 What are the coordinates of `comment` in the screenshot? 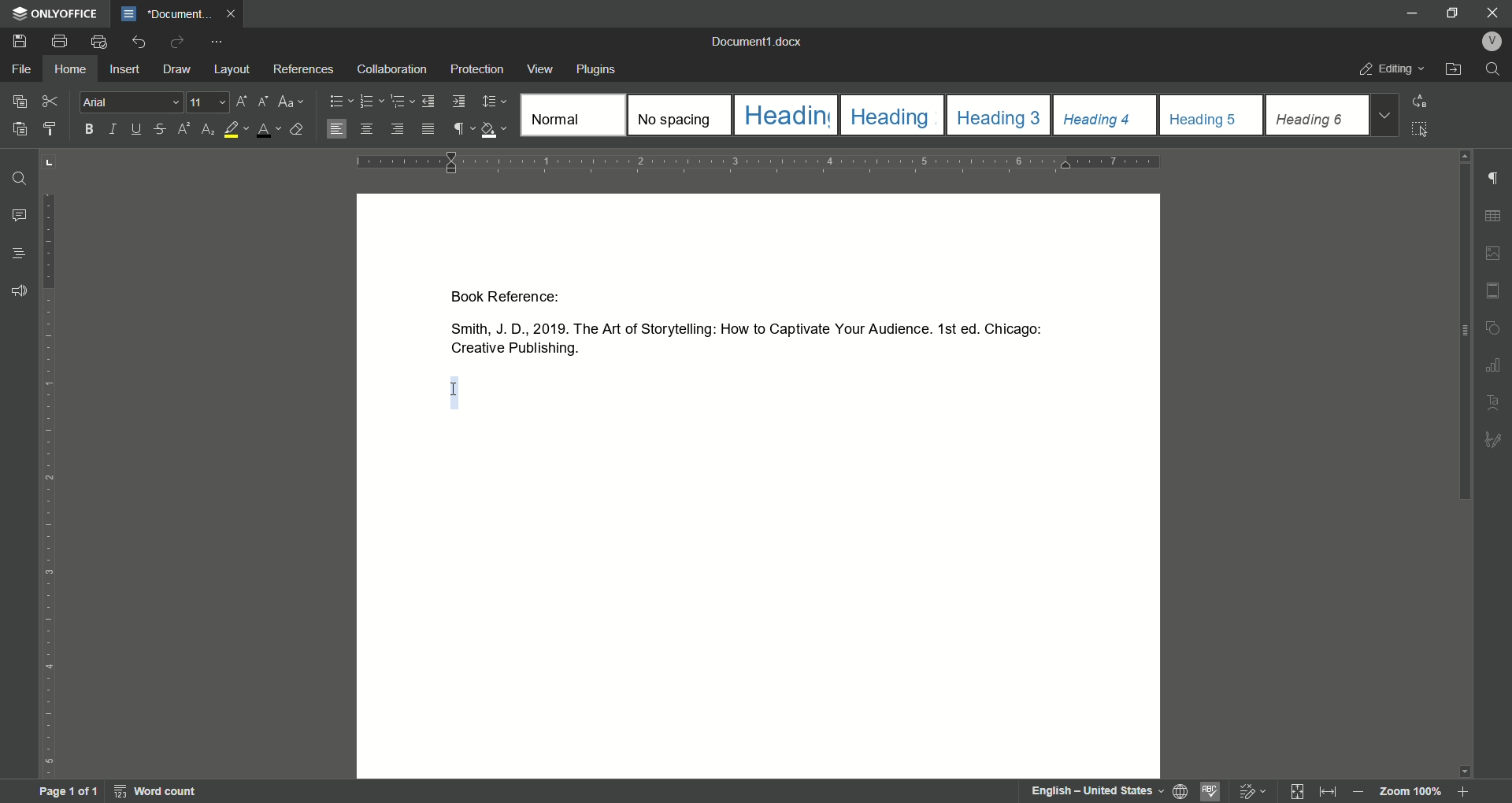 It's located at (20, 216).